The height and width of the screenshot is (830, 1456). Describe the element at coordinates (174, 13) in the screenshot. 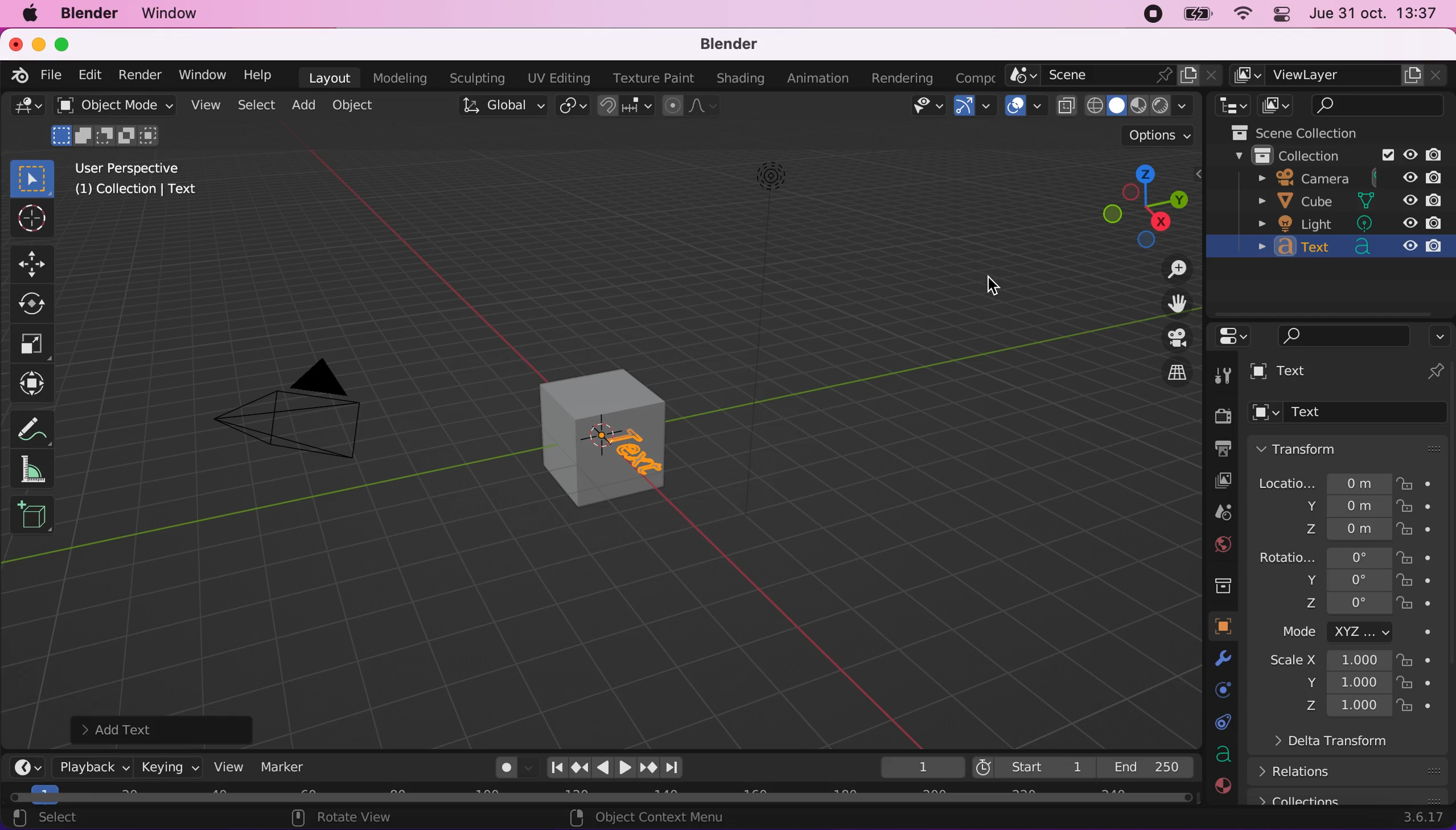

I see `window` at that location.